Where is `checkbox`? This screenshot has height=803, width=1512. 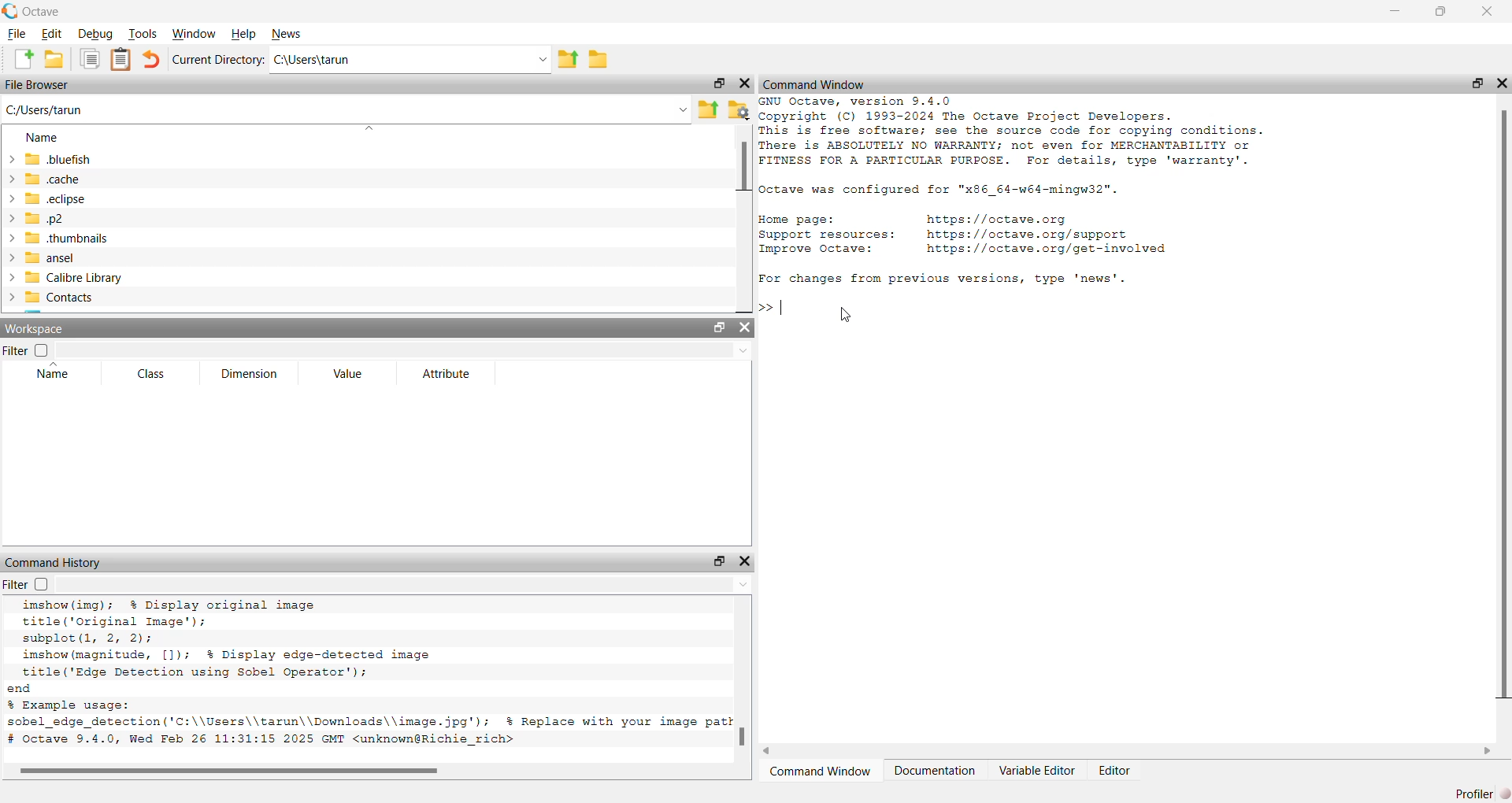
checkbox is located at coordinates (46, 350).